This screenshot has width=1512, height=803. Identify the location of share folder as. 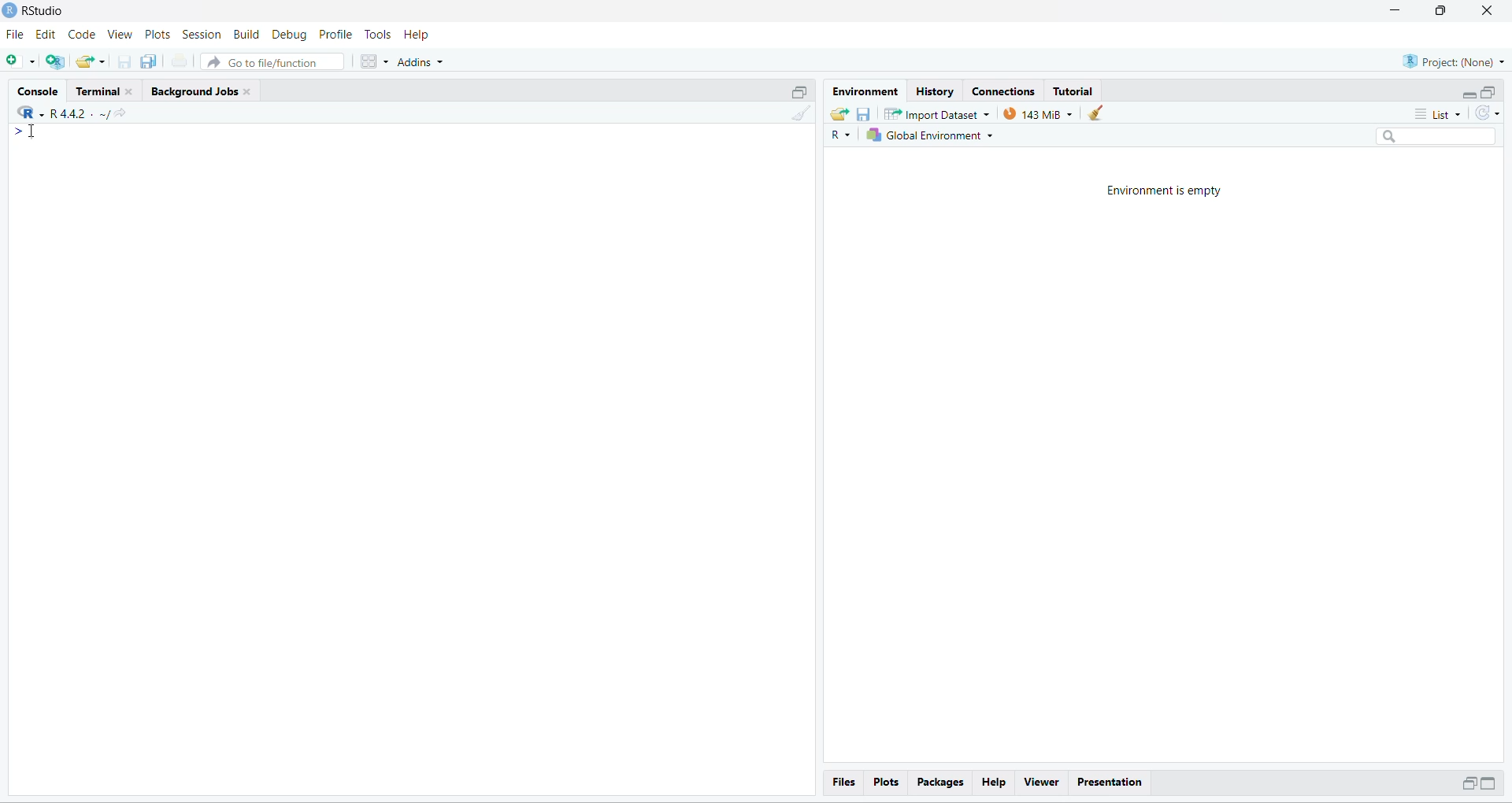
(92, 62).